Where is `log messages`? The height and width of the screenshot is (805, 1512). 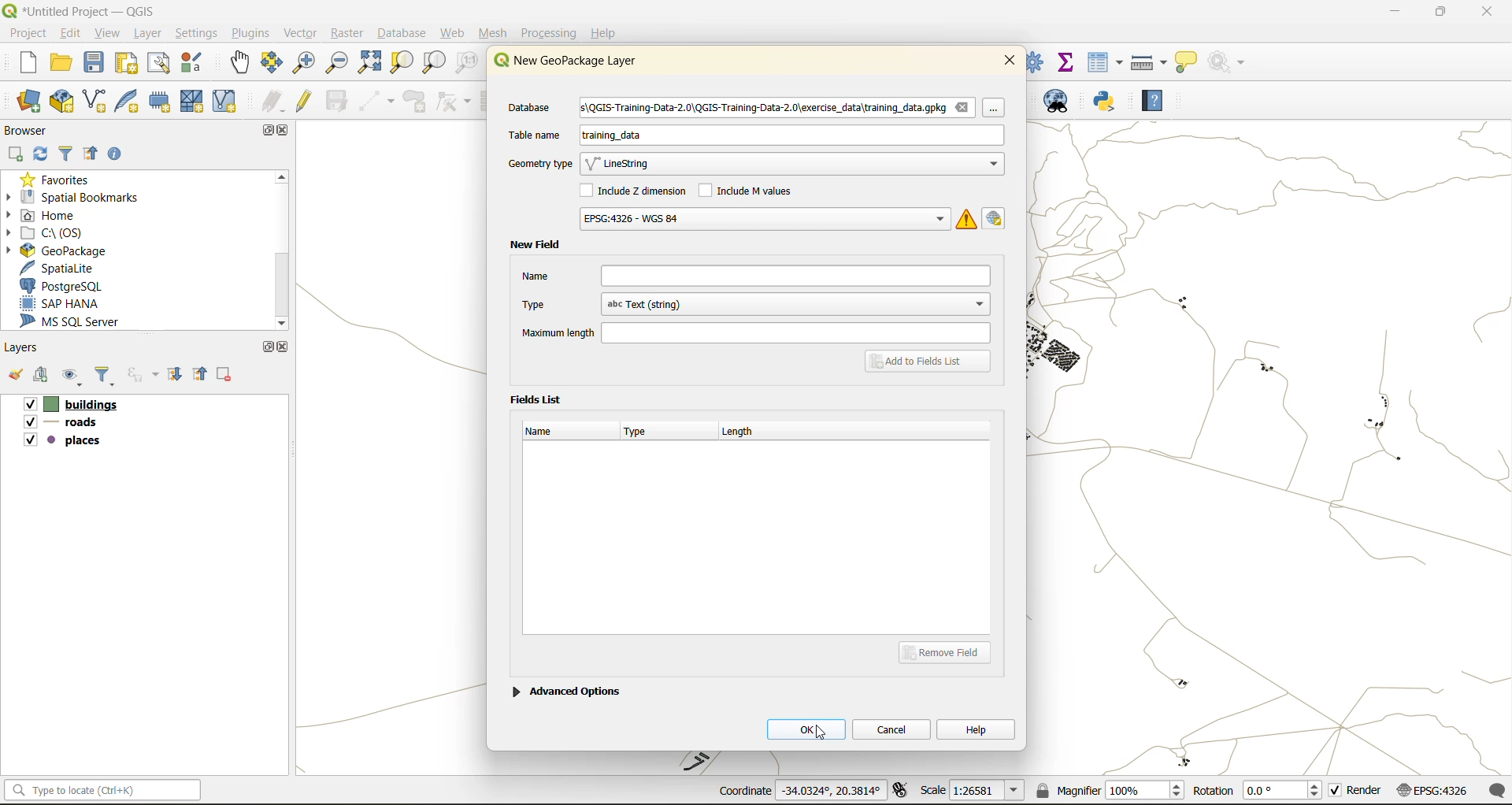 log messages is located at coordinates (1499, 790).